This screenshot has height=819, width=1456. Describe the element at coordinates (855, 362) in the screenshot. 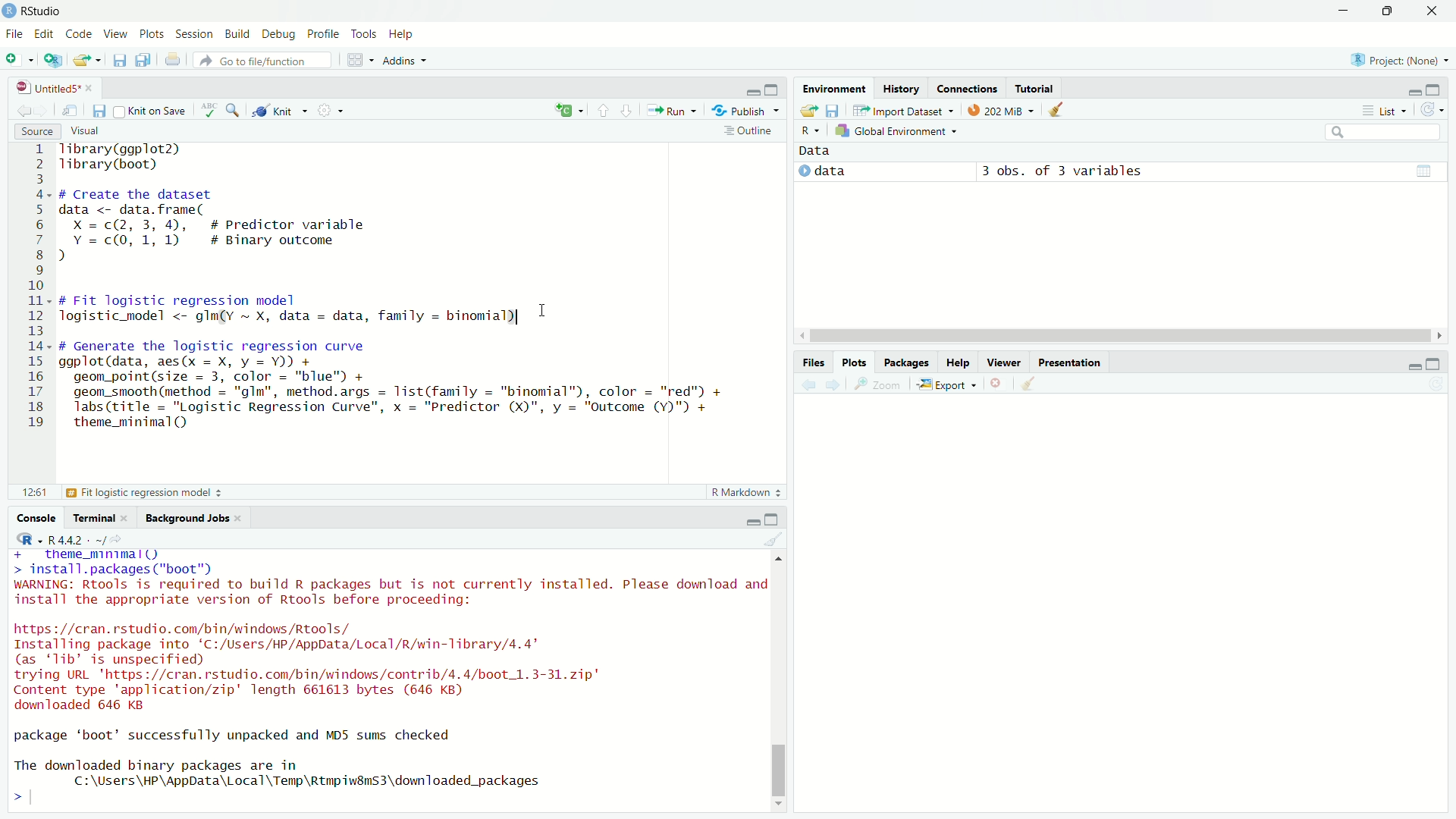

I see `Plots` at that location.